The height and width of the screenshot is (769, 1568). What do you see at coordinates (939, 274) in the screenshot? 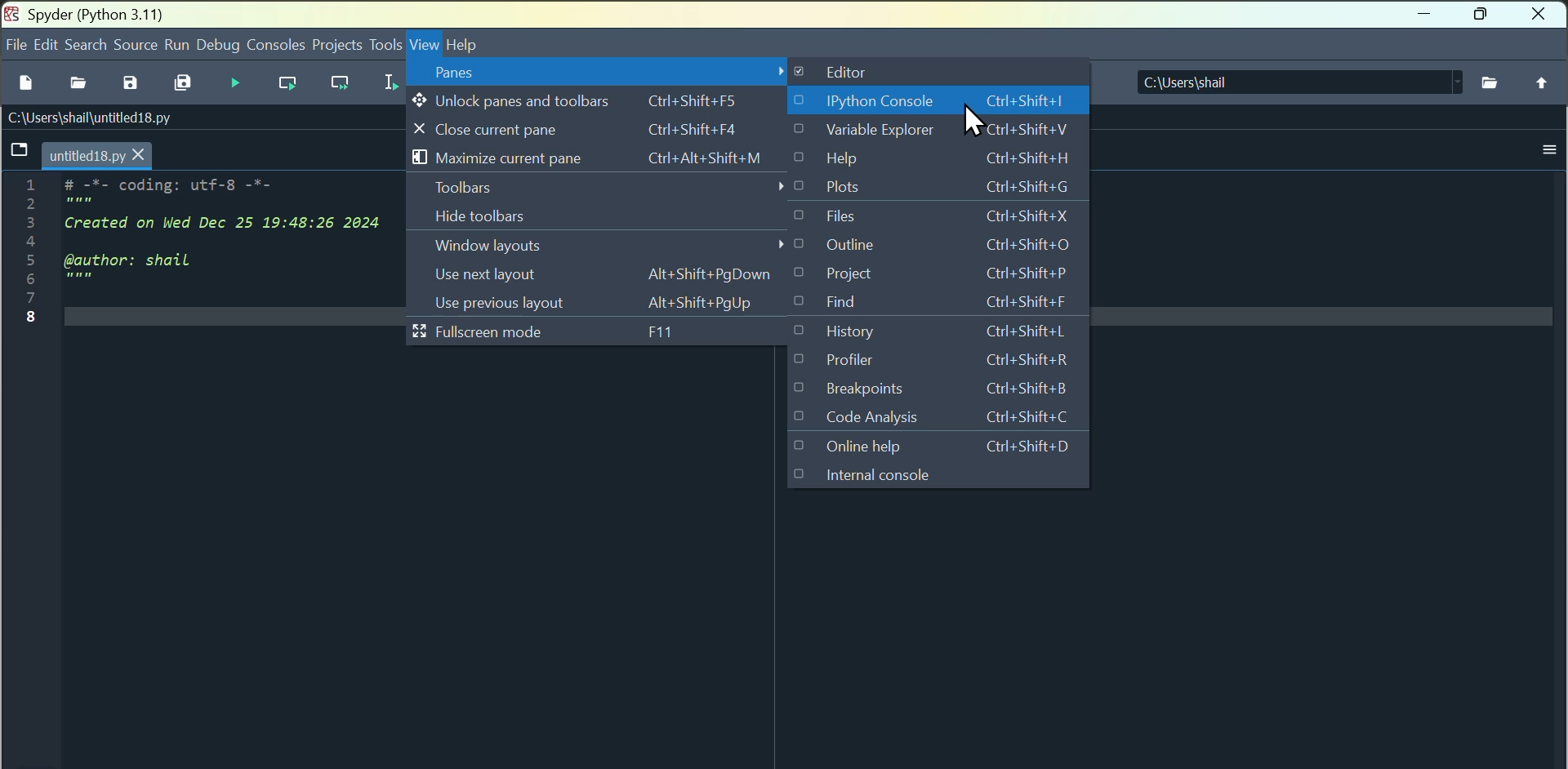
I see `Project` at bounding box center [939, 274].